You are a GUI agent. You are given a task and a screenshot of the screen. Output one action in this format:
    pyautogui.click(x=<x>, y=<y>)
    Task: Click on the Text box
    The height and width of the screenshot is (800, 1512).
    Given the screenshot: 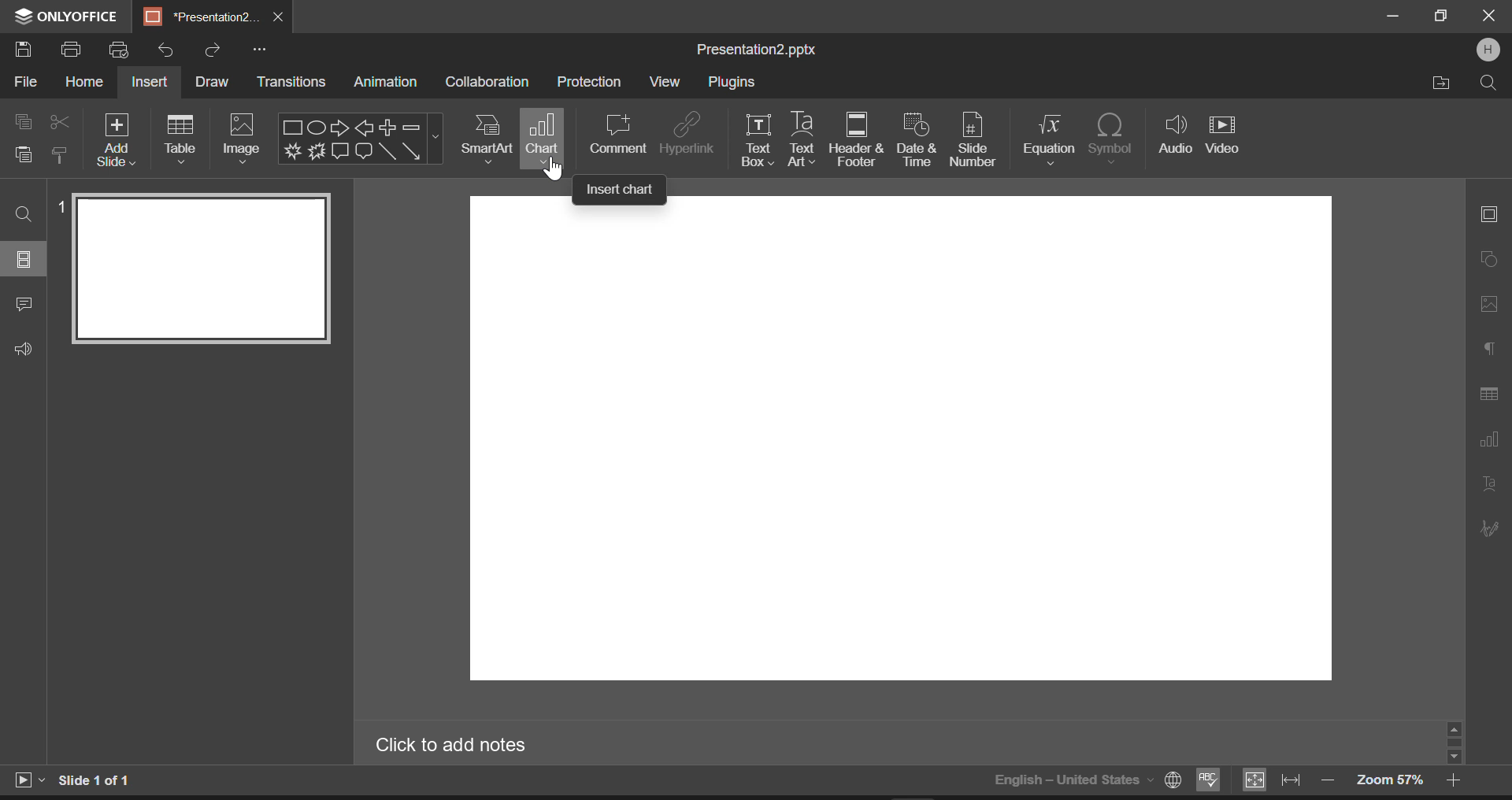 What is the action you would take?
    pyautogui.click(x=756, y=140)
    